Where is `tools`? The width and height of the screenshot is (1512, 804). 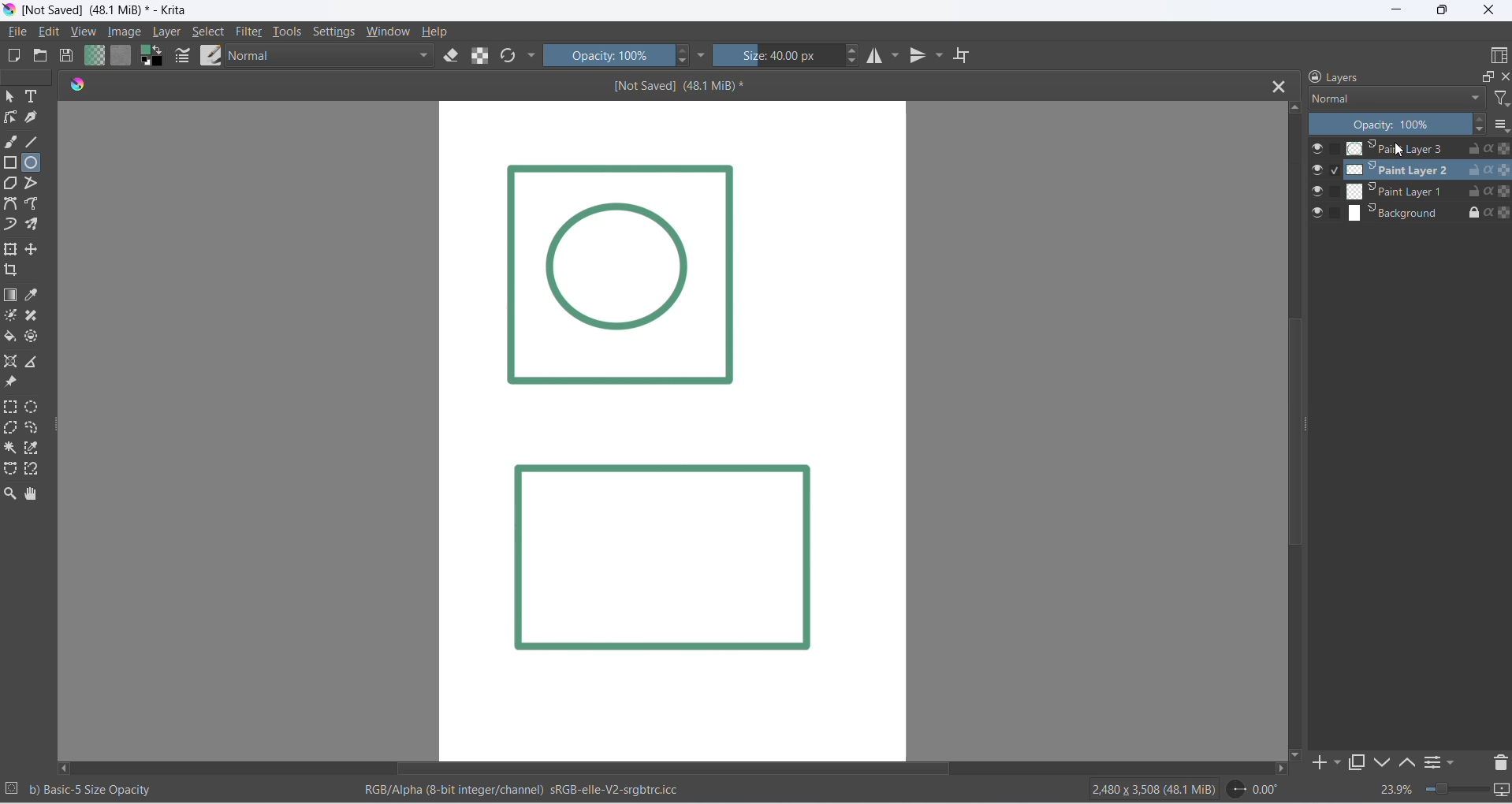 tools is located at coordinates (288, 32).